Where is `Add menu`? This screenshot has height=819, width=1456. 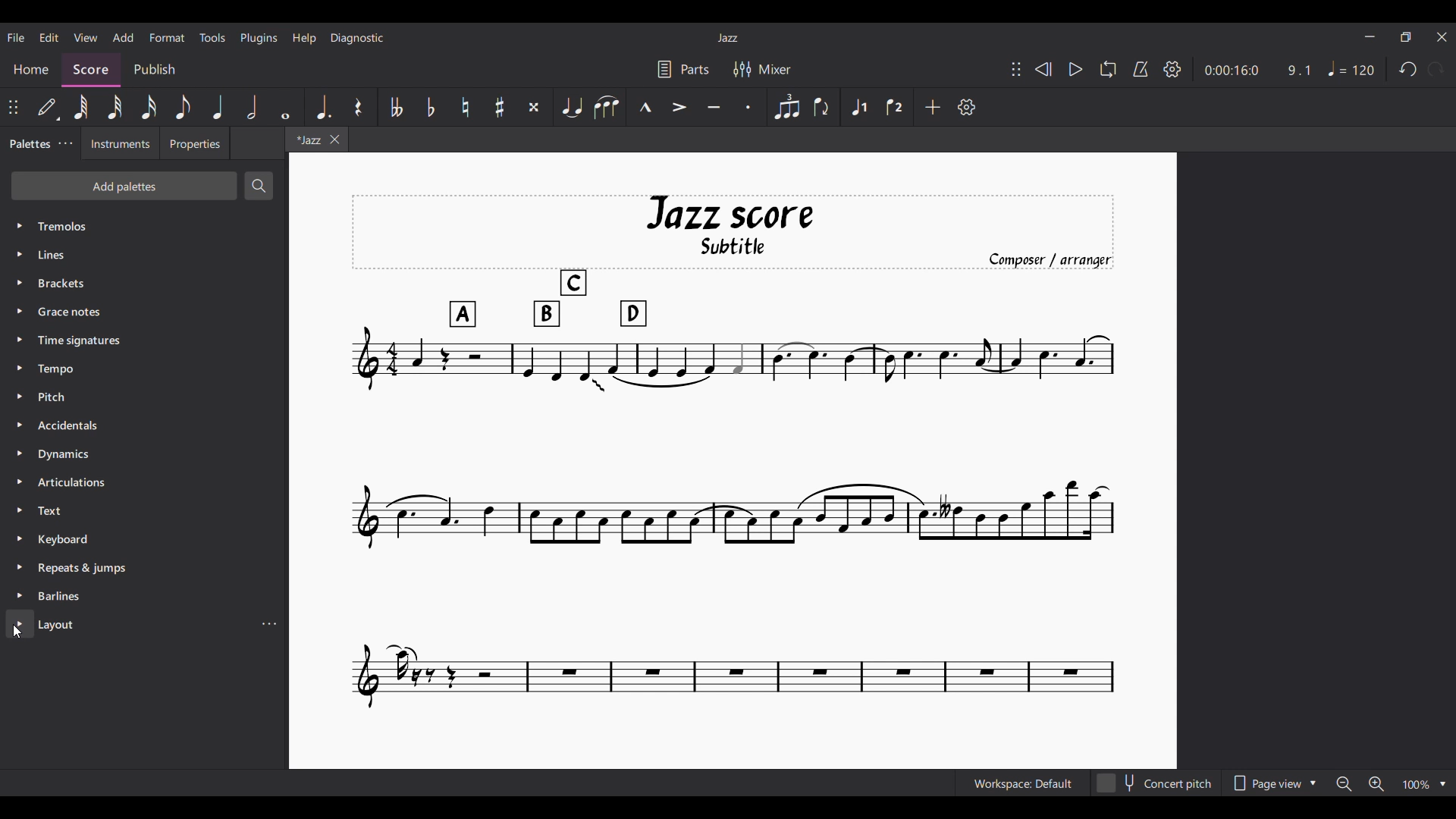
Add menu is located at coordinates (123, 37).